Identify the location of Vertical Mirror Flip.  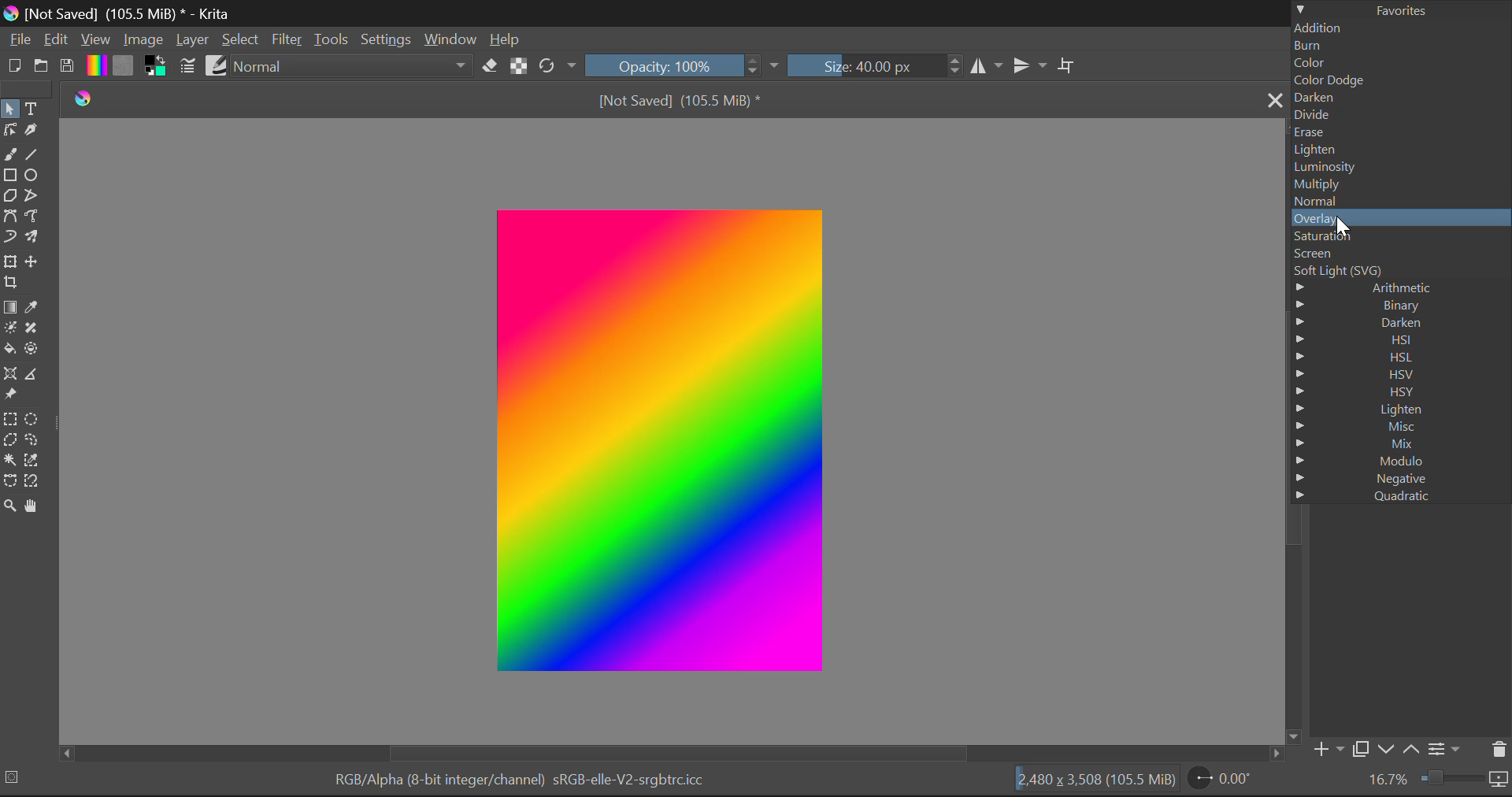
(984, 67).